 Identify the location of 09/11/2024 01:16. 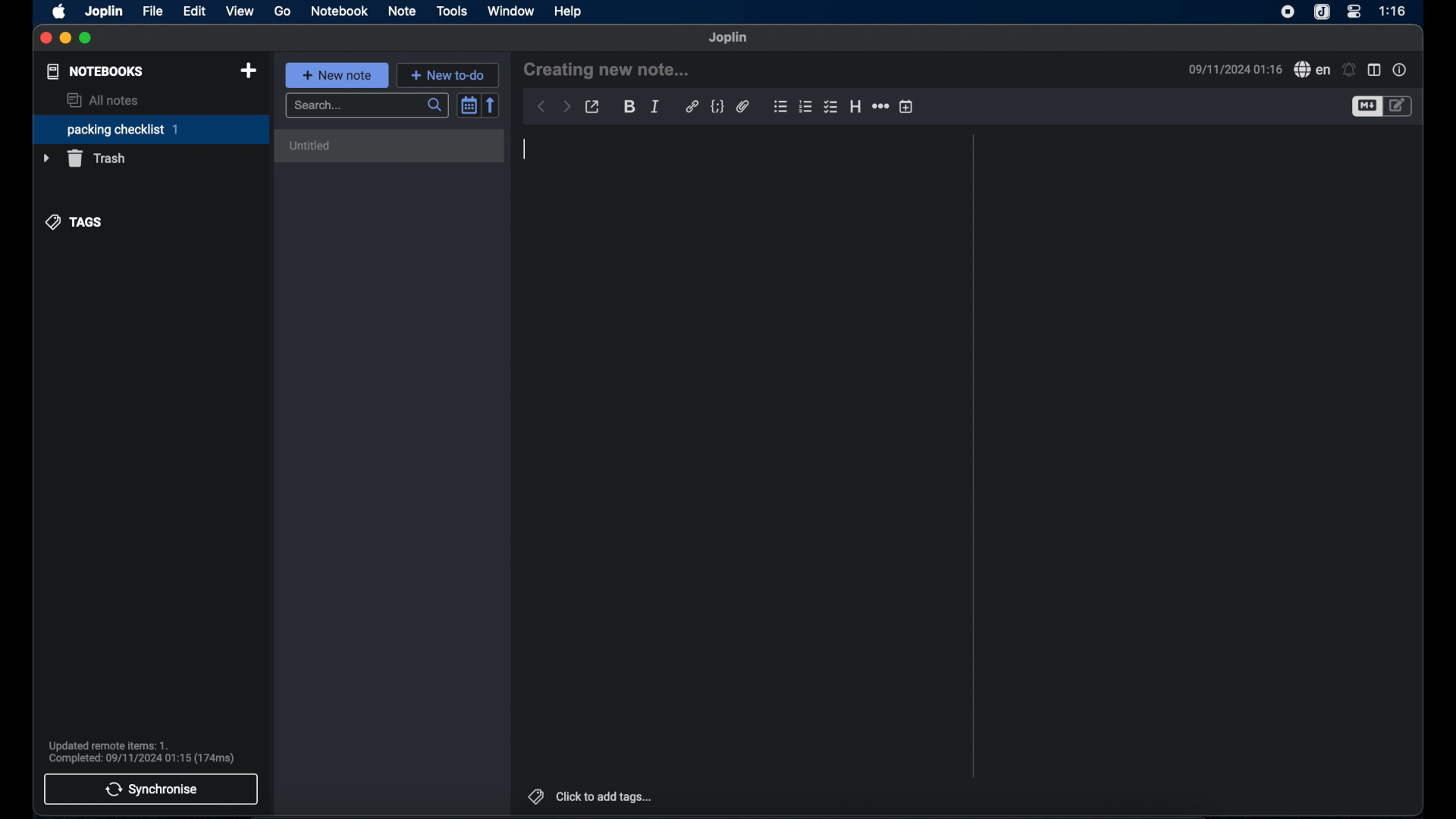
(1232, 70).